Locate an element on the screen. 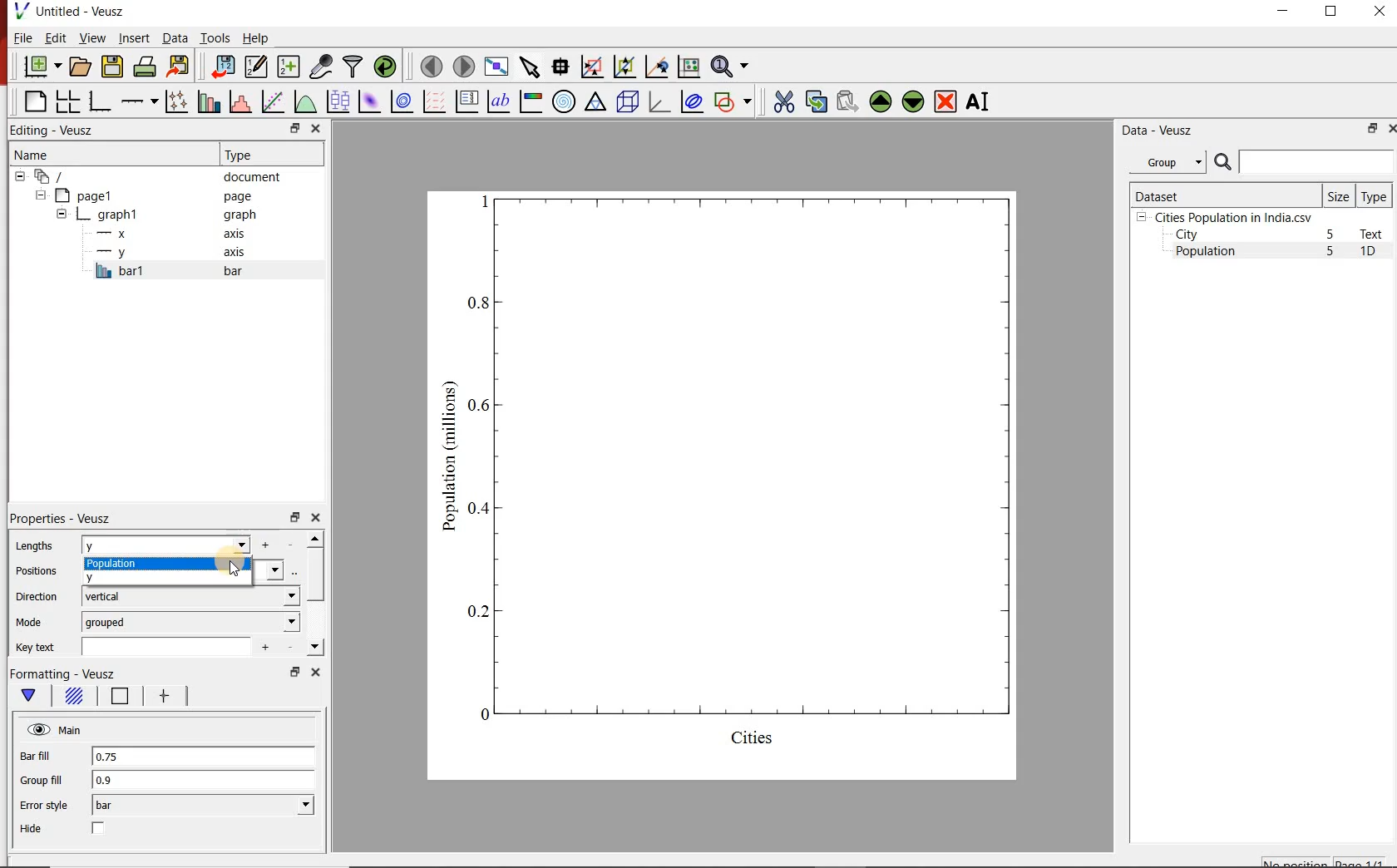 The height and width of the screenshot is (868, 1397). Direction is located at coordinates (35, 596).